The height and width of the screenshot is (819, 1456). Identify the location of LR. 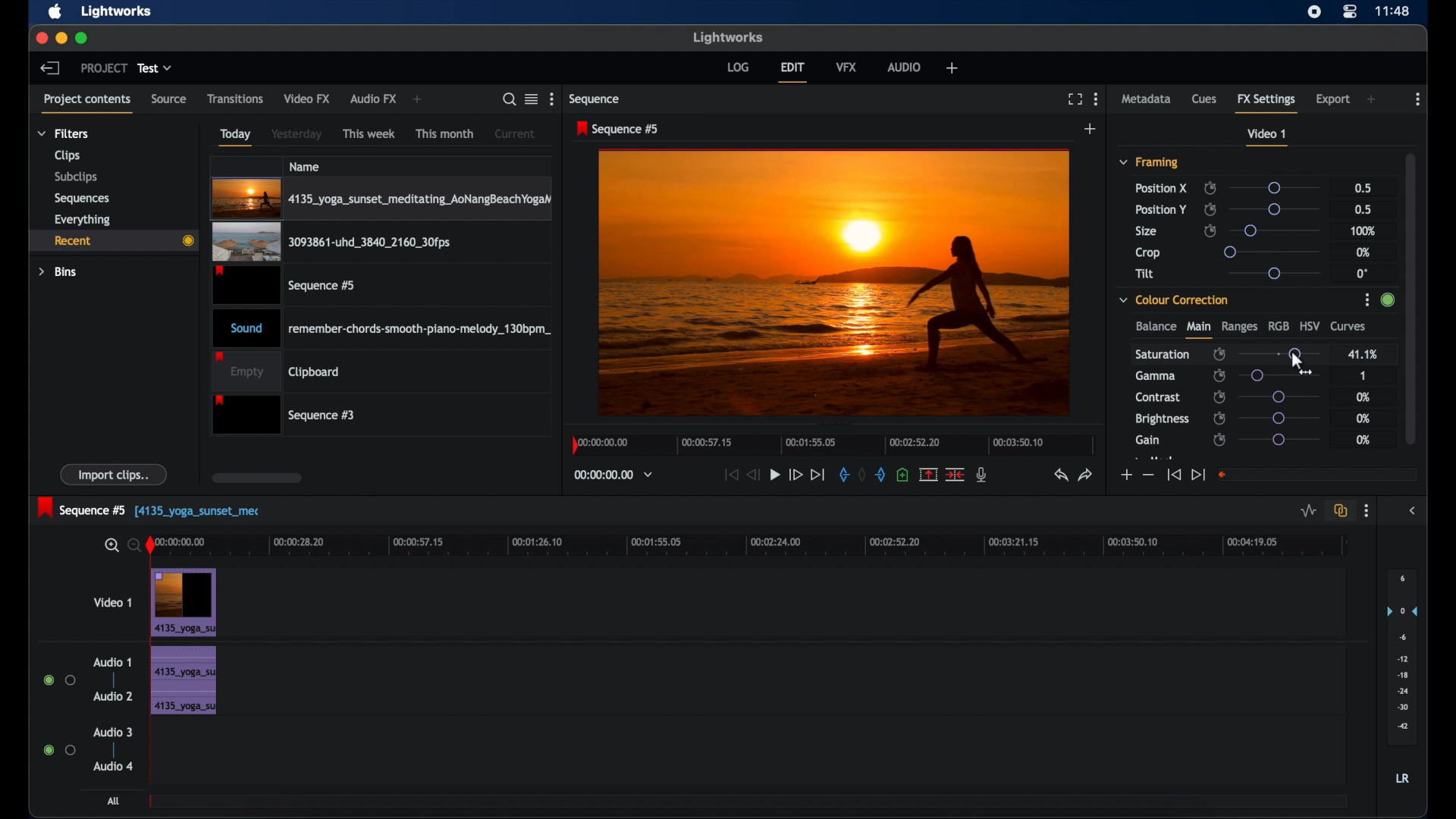
(1402, 779).